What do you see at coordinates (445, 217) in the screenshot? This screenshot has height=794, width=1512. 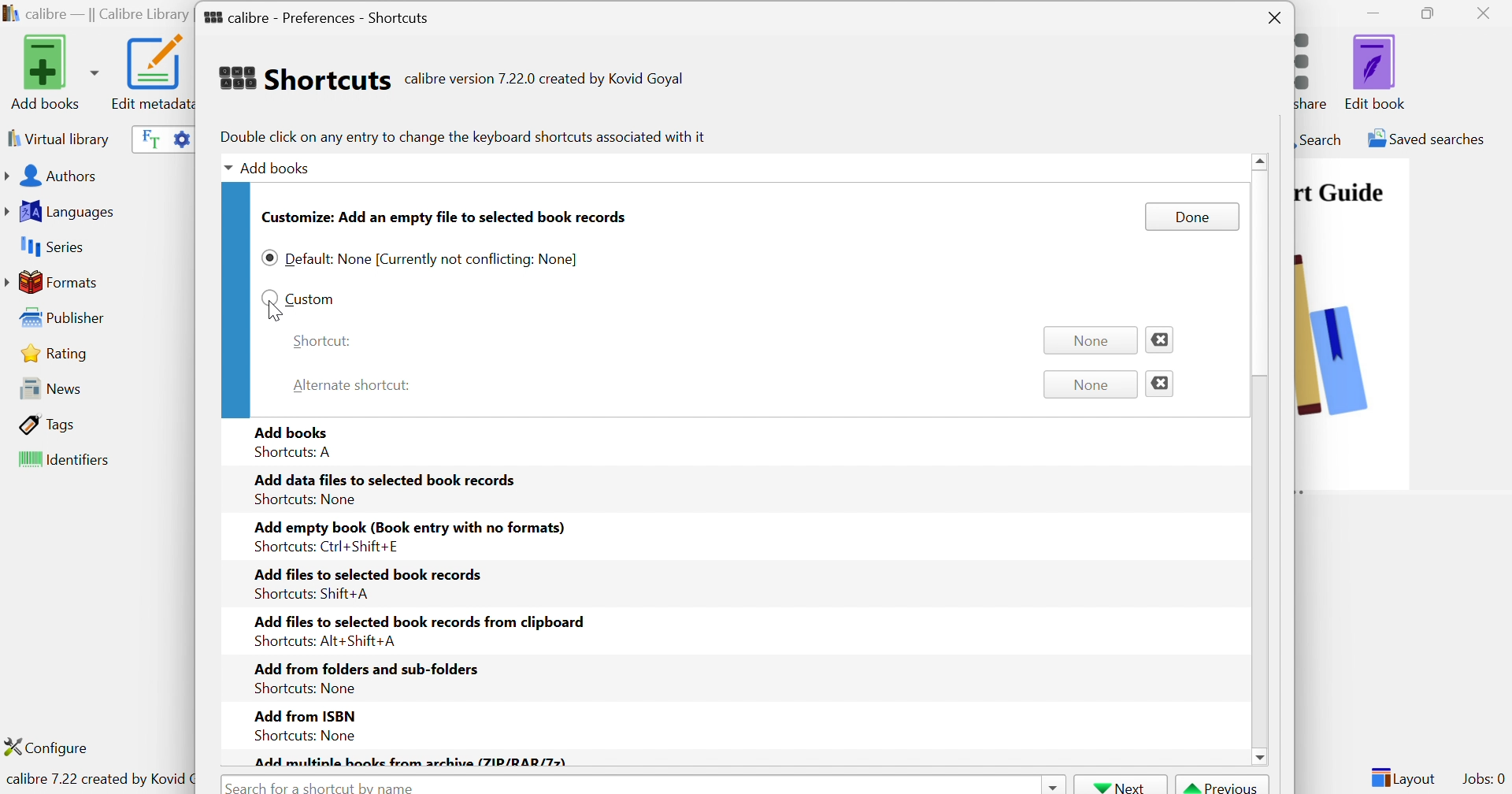 I see `Customize: Add an empty file to selected book records` at bounding box center [445, 217].